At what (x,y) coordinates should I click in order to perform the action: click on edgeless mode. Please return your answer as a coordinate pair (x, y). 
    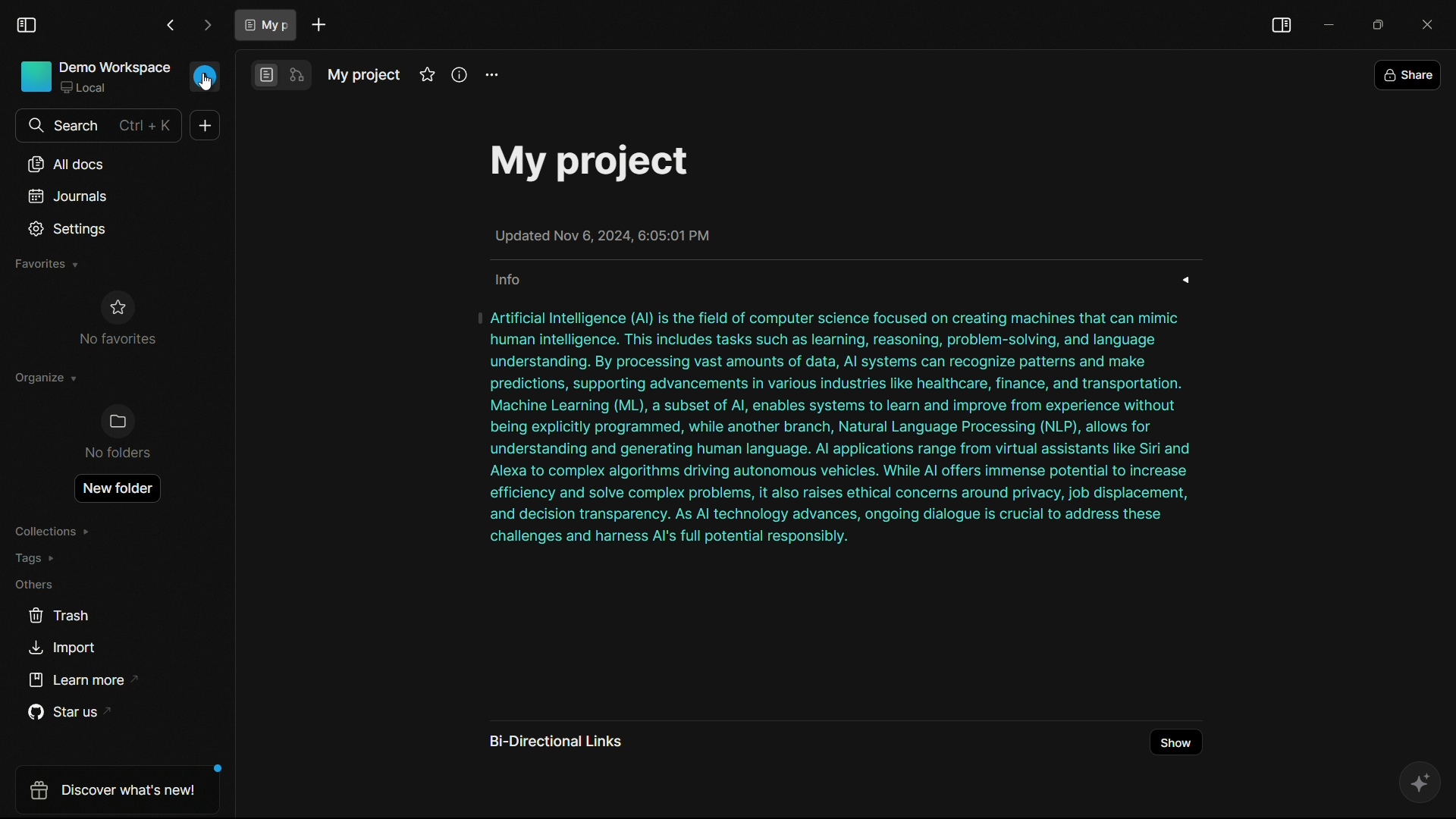
    Looking at the image, I should click on (298, 76).